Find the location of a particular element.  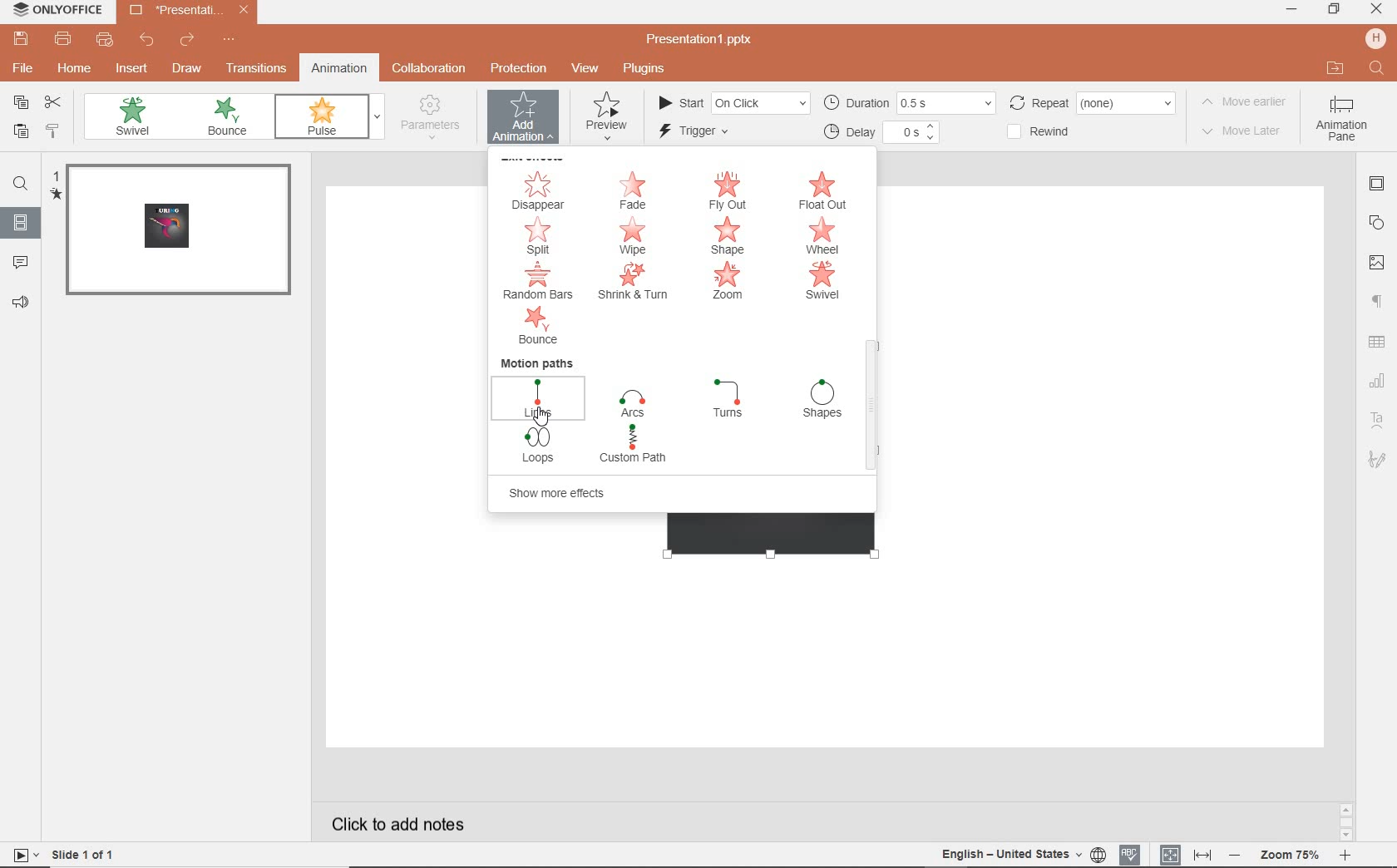

quick print is located at coordinates (104, 40).